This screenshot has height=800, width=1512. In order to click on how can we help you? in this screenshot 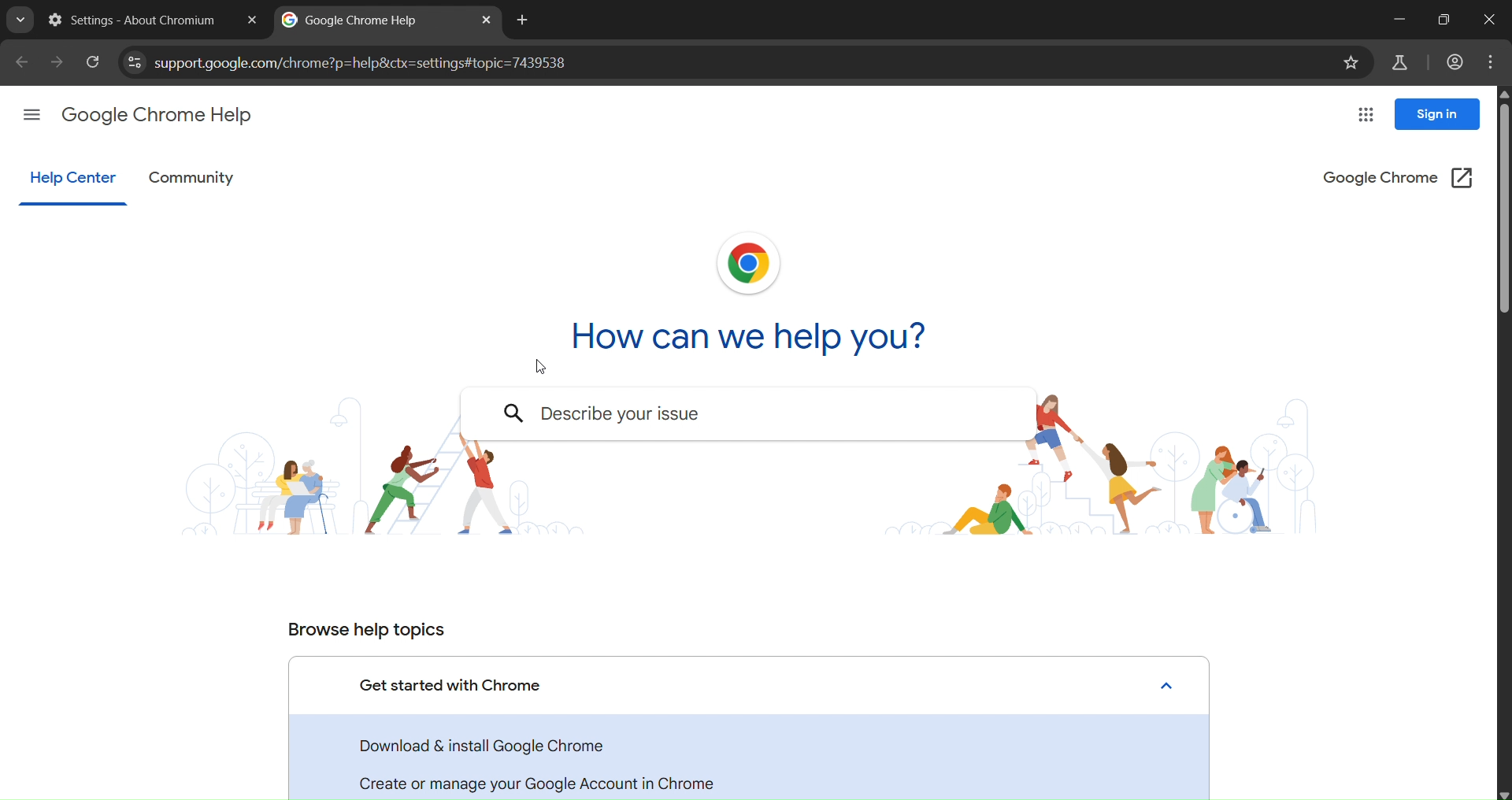, I will do `click(771, 332)`.